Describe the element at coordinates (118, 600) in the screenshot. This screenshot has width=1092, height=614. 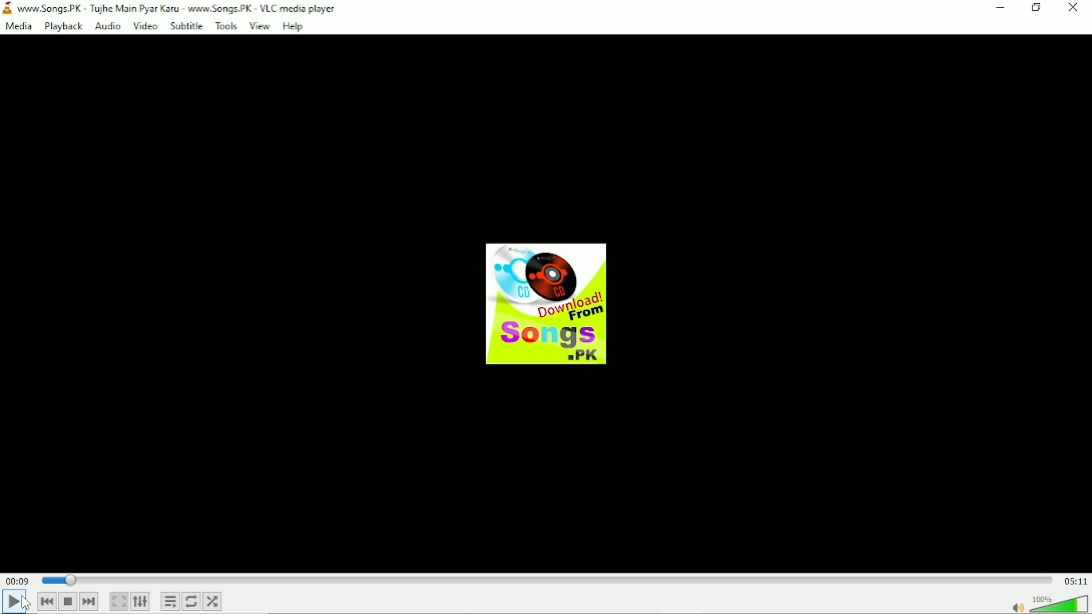
I see `Toggle video in fullscreen` at that location.